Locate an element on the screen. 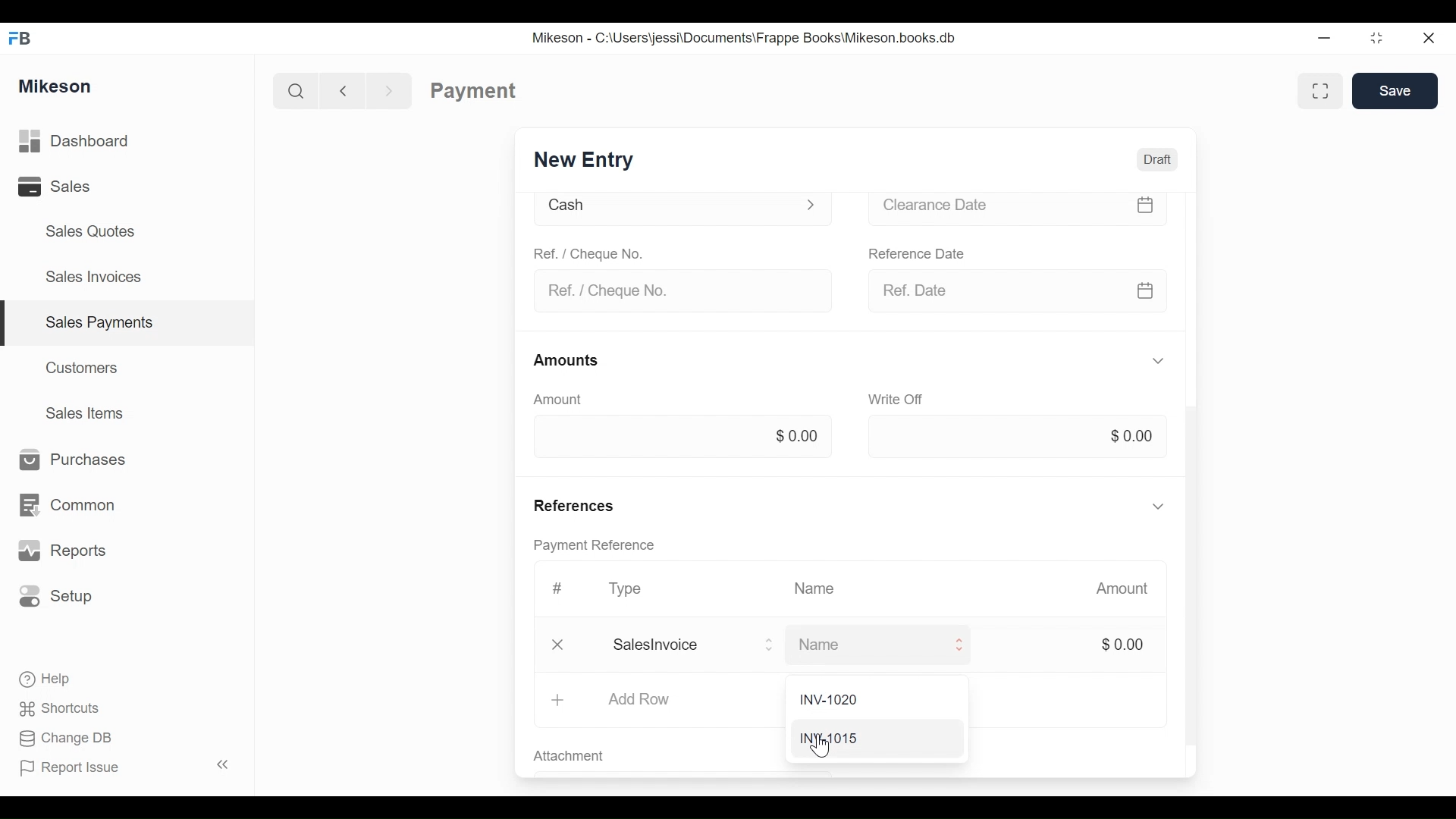  Name is located at coordinates (818, 588).